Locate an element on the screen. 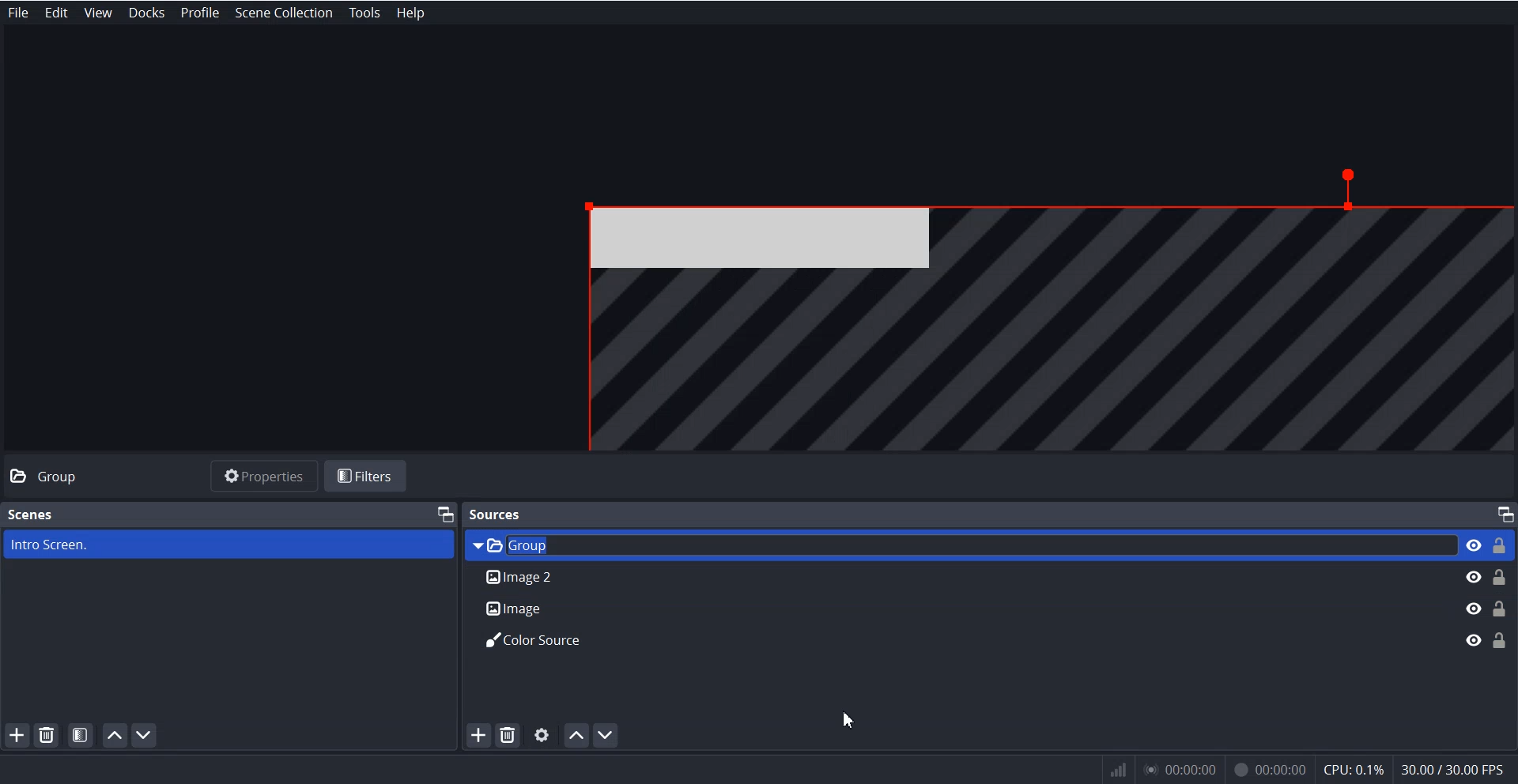 Image resolution: width=1518 pixels, height=784 pixels. Scene Collection is located at coordinates (285, 13).